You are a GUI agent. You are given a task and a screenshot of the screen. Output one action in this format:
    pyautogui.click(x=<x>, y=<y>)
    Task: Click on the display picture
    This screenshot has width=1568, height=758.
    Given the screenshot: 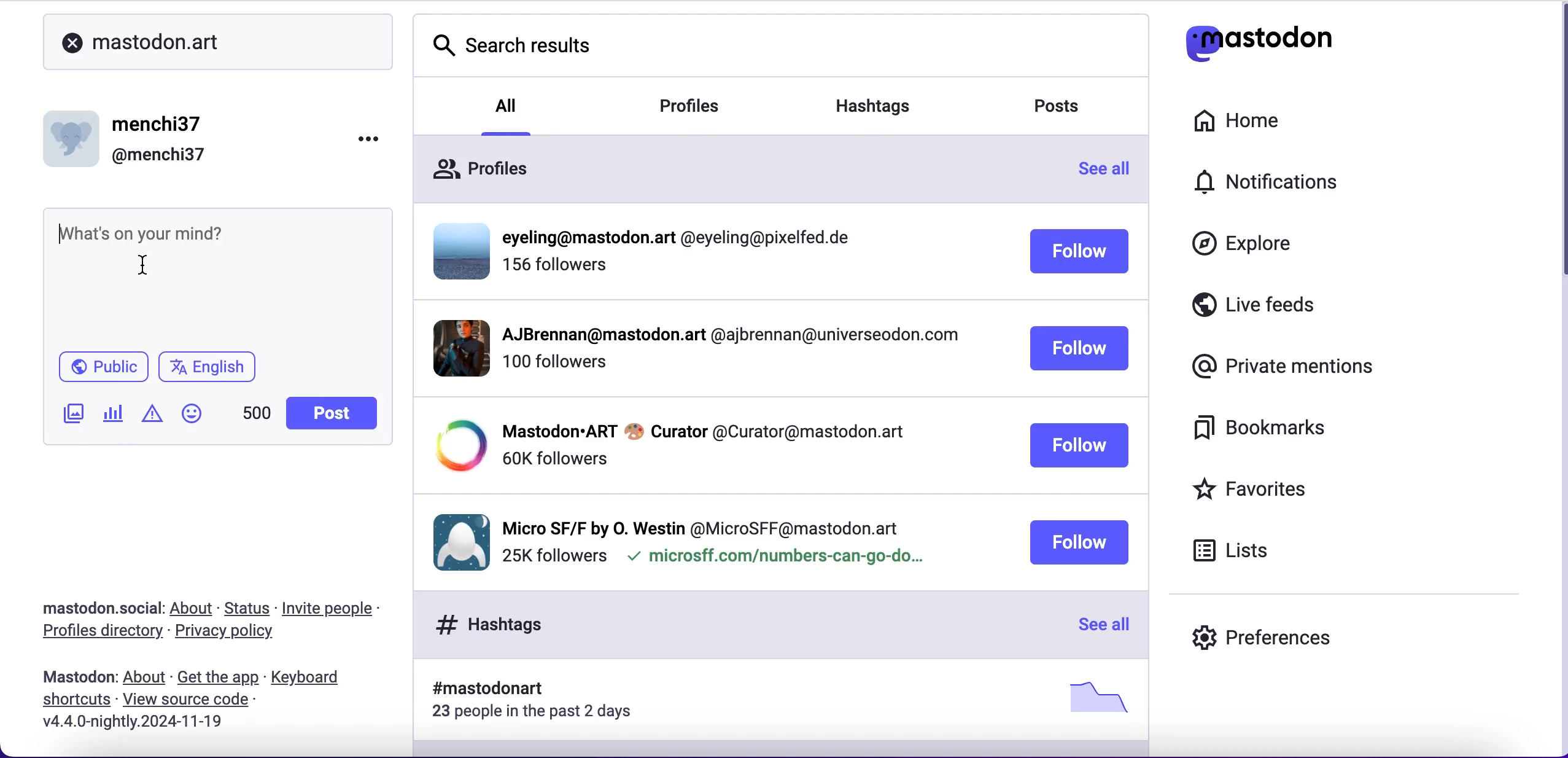 What is the action you would take?
    pyautogui.click(x=74, y=135)
    